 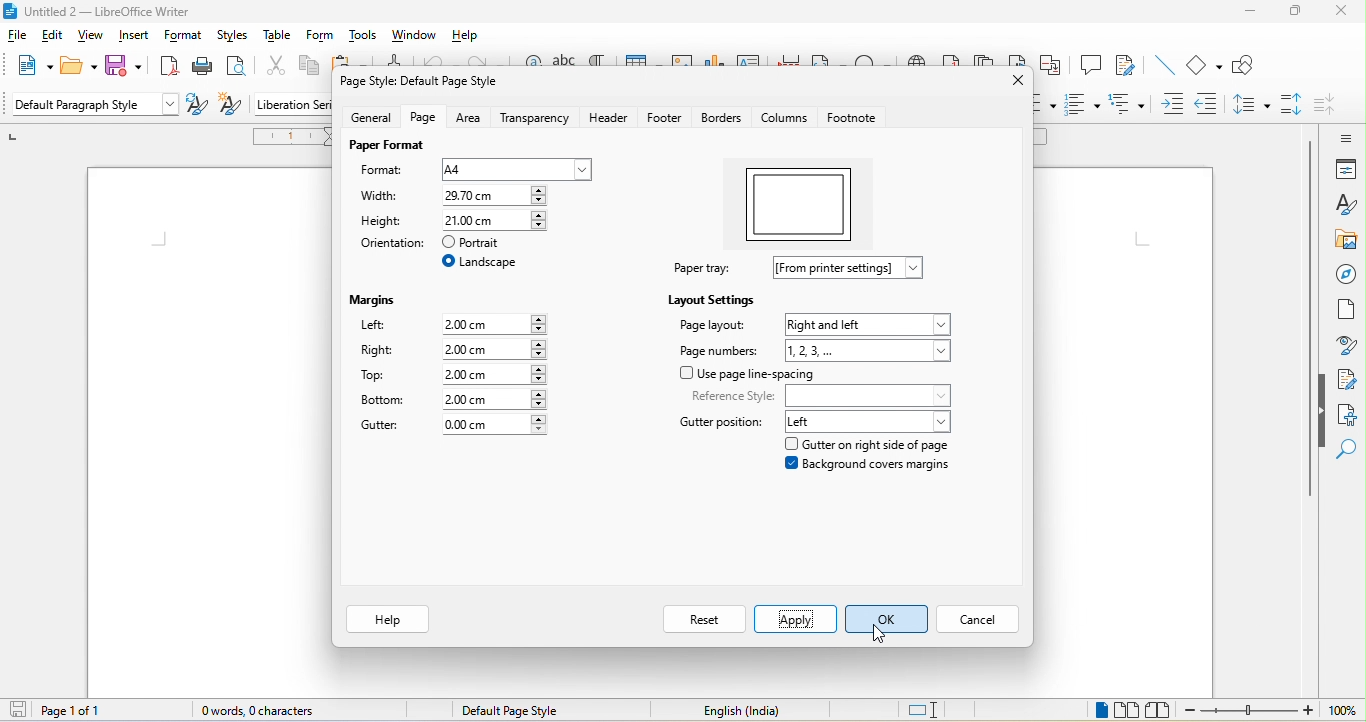 I want to click on page, so click(x=422, y=119).